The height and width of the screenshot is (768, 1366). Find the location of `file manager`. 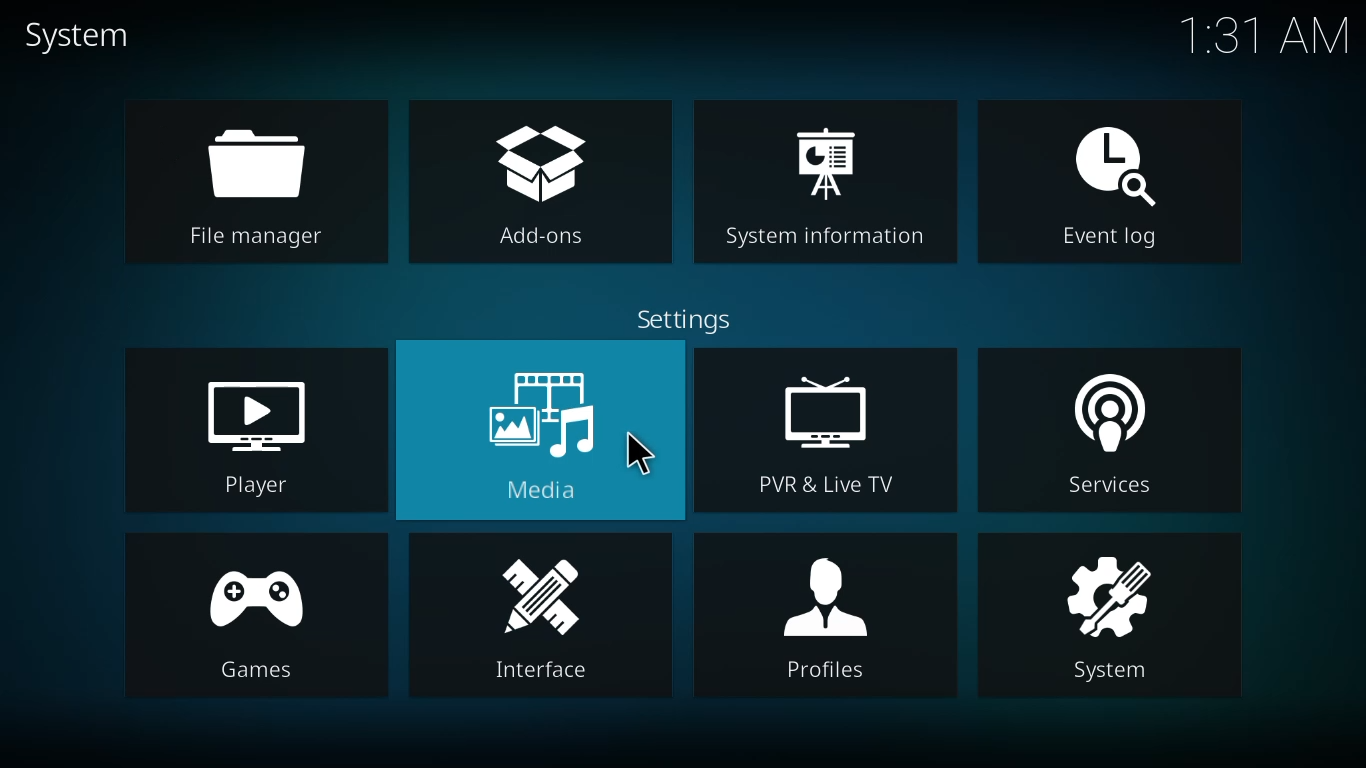

file manager is located at coordinates (254, 184).